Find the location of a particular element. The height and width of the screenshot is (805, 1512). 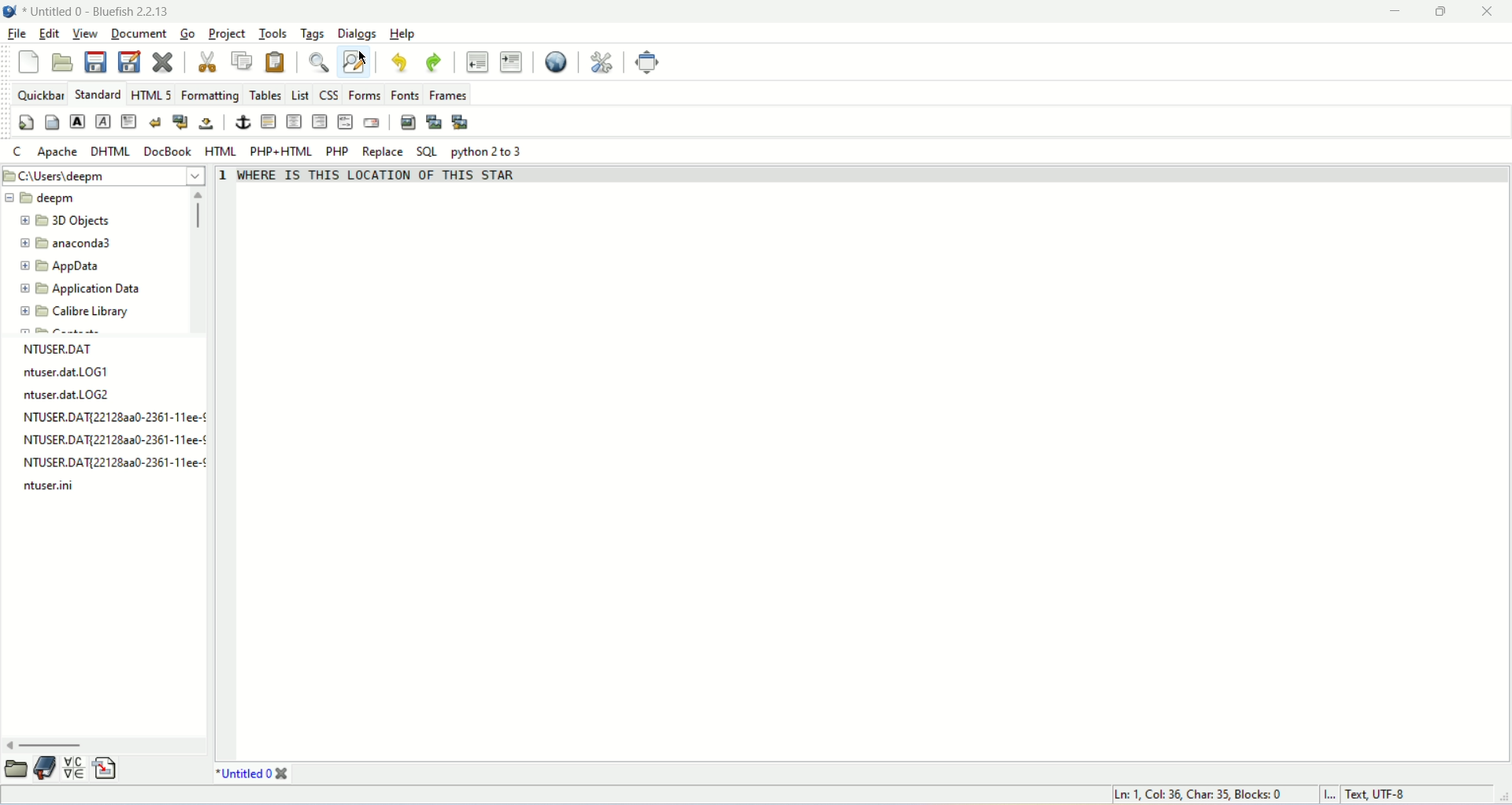

paste is located at coordinates (276, 62).